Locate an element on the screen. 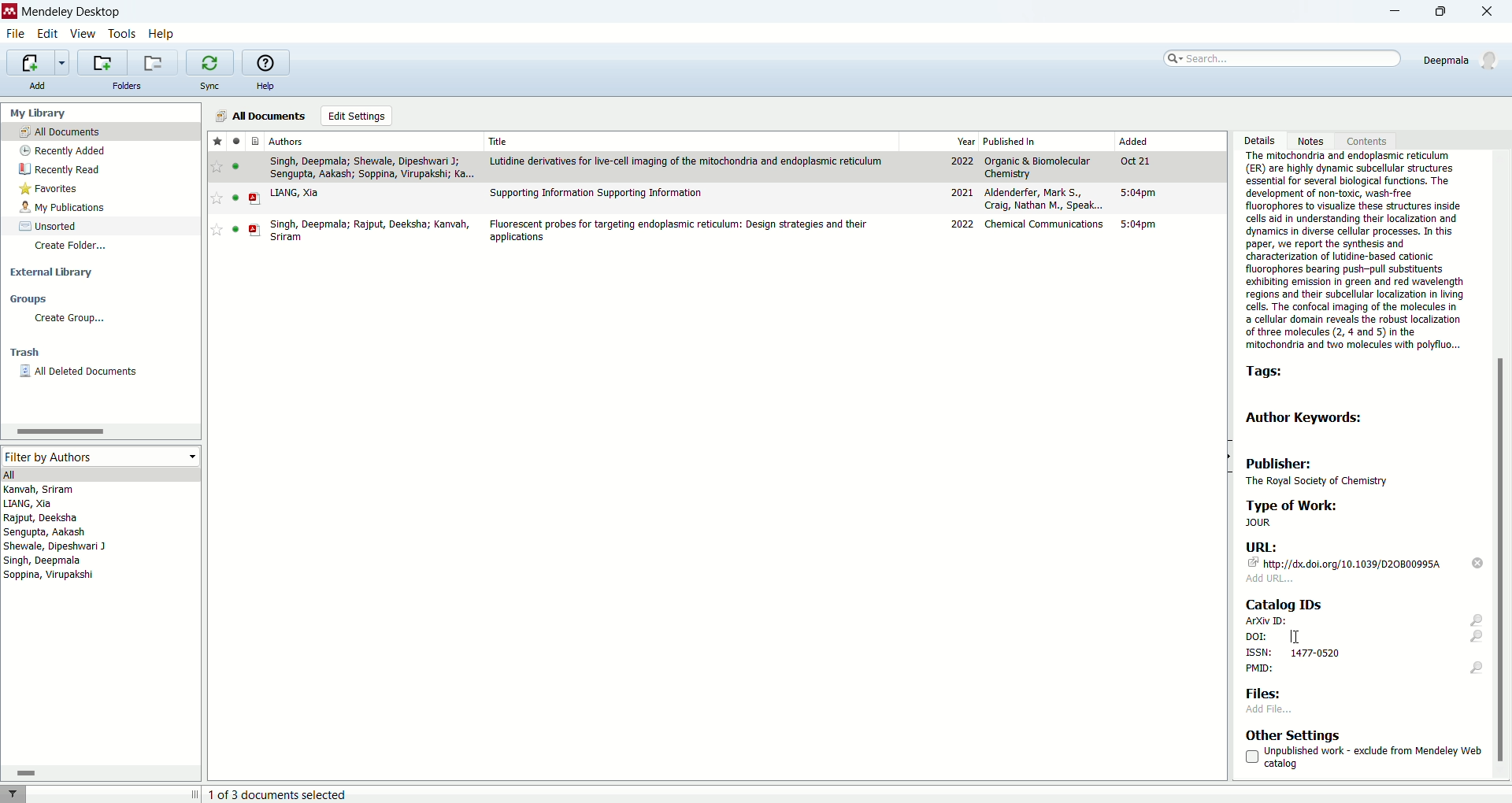 This screenshot has height=803, width=1512. sorted is located at coordinates (49, 226).